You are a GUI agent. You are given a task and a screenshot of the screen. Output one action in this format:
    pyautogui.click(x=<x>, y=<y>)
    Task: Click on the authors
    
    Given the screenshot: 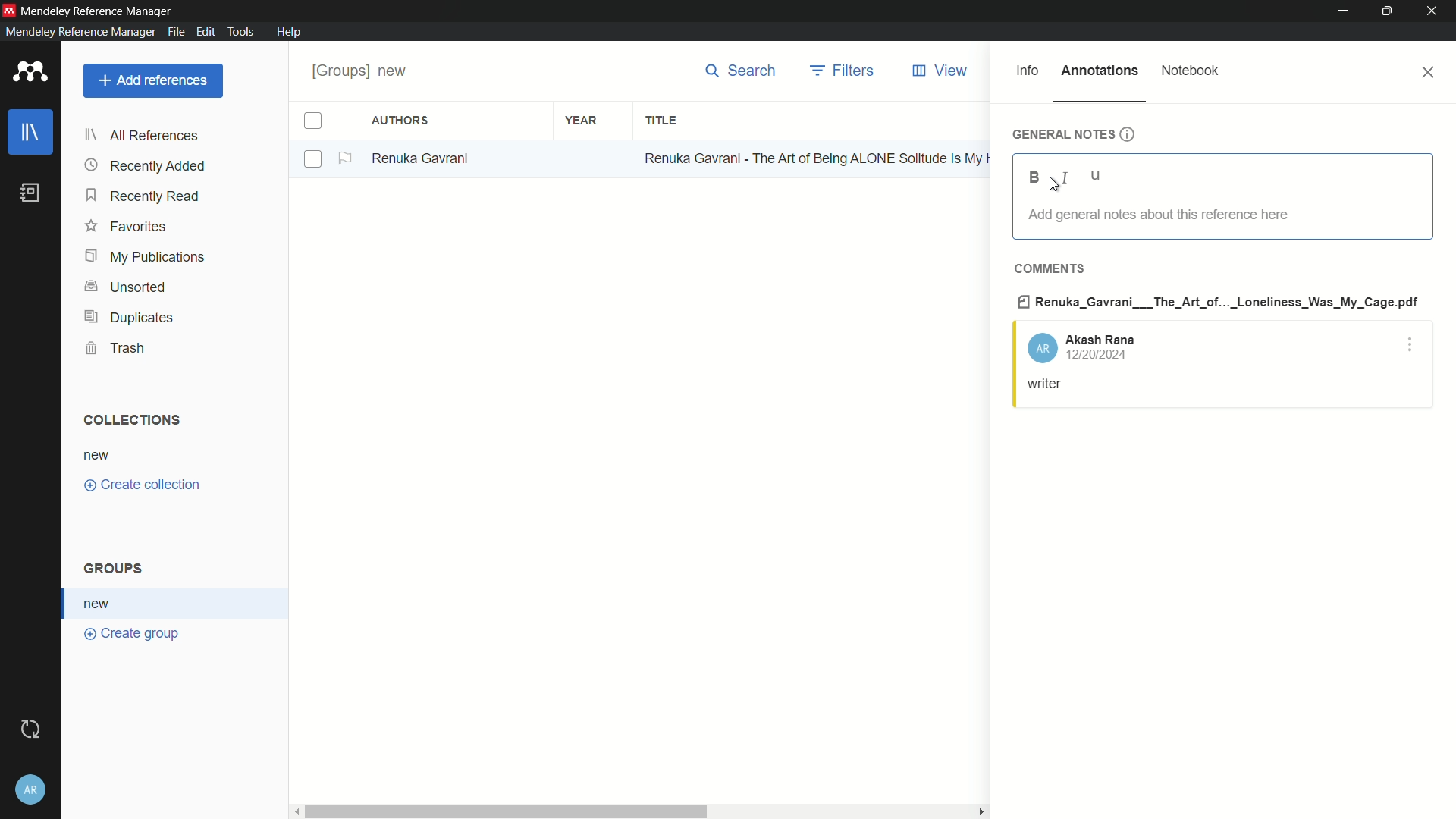 What is the action you would take?
    pyautogui.click(x=402, y=121)
    